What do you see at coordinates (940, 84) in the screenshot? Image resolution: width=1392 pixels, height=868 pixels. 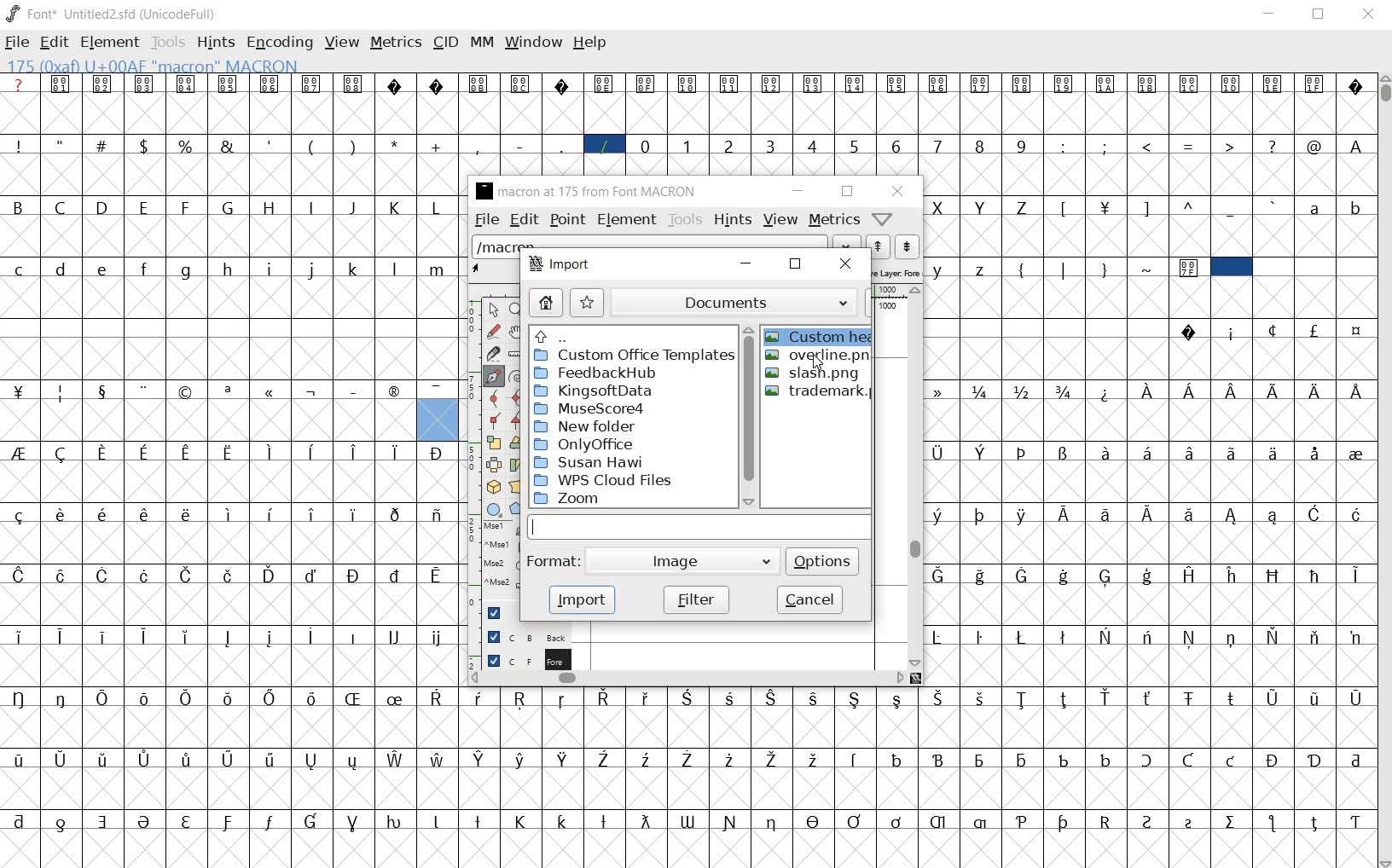 I see `Symbol` at bounding box center [940, 84].